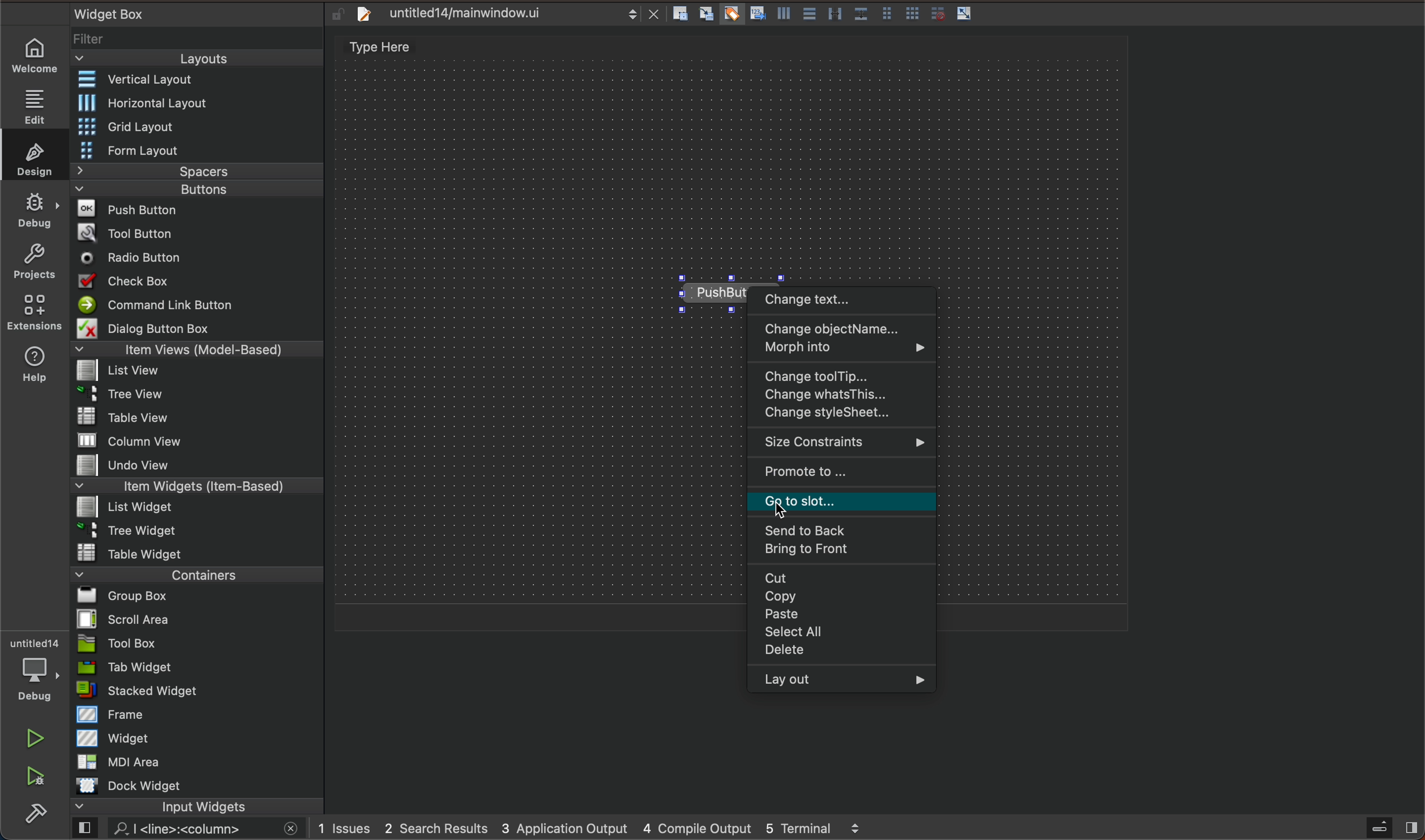 The height and width of the screenshot is (840, 1425). What do you see at coordinates (843, 501) in the screenshot?
I see `goto slot` at bounding box center [843, 501].